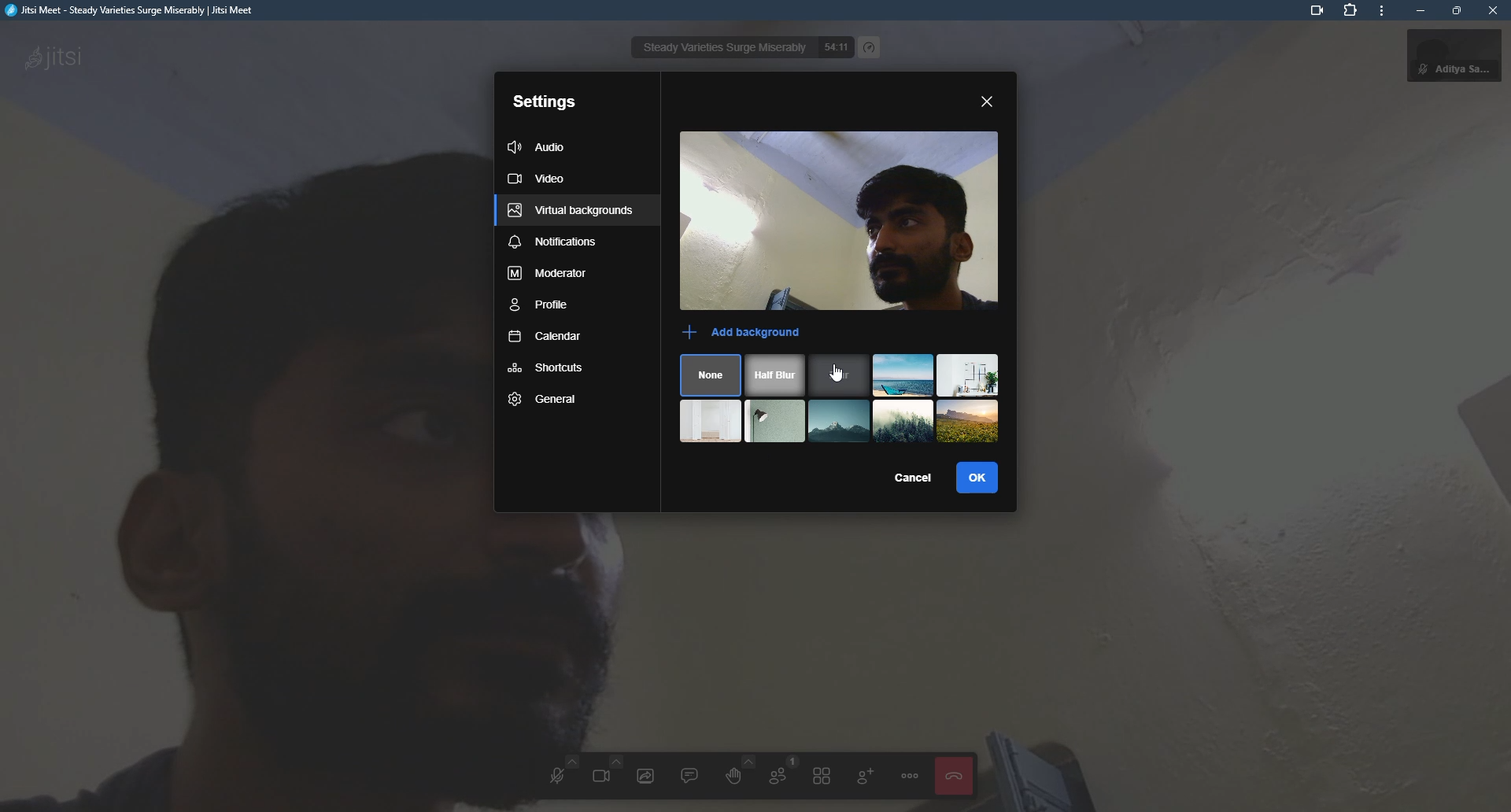  What do you see at coordinates (835, 375) in the screenshot?
I see `Cursor` at bounding box center [835, 375].